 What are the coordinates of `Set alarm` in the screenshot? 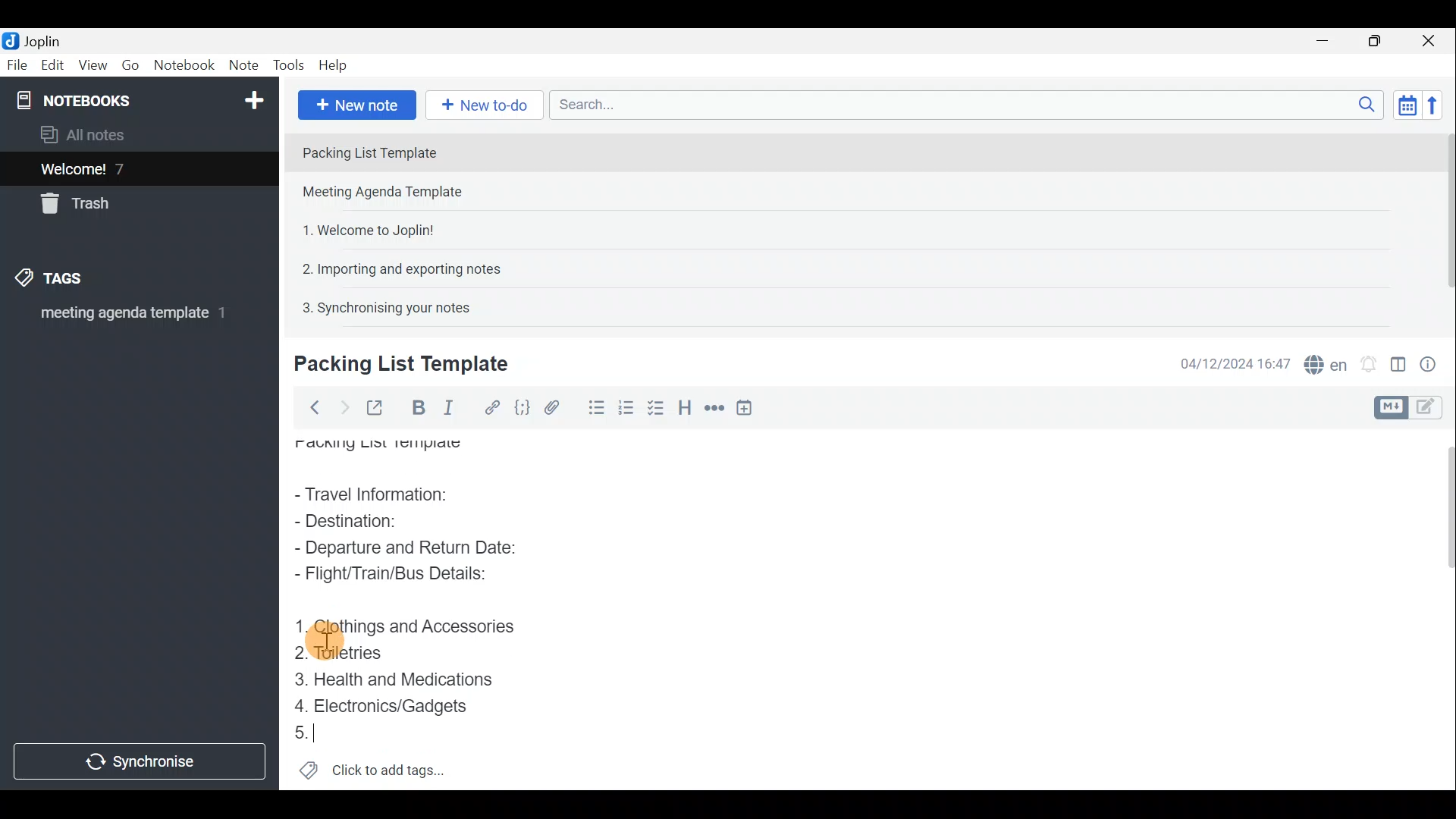 It's located at (1368, 360).